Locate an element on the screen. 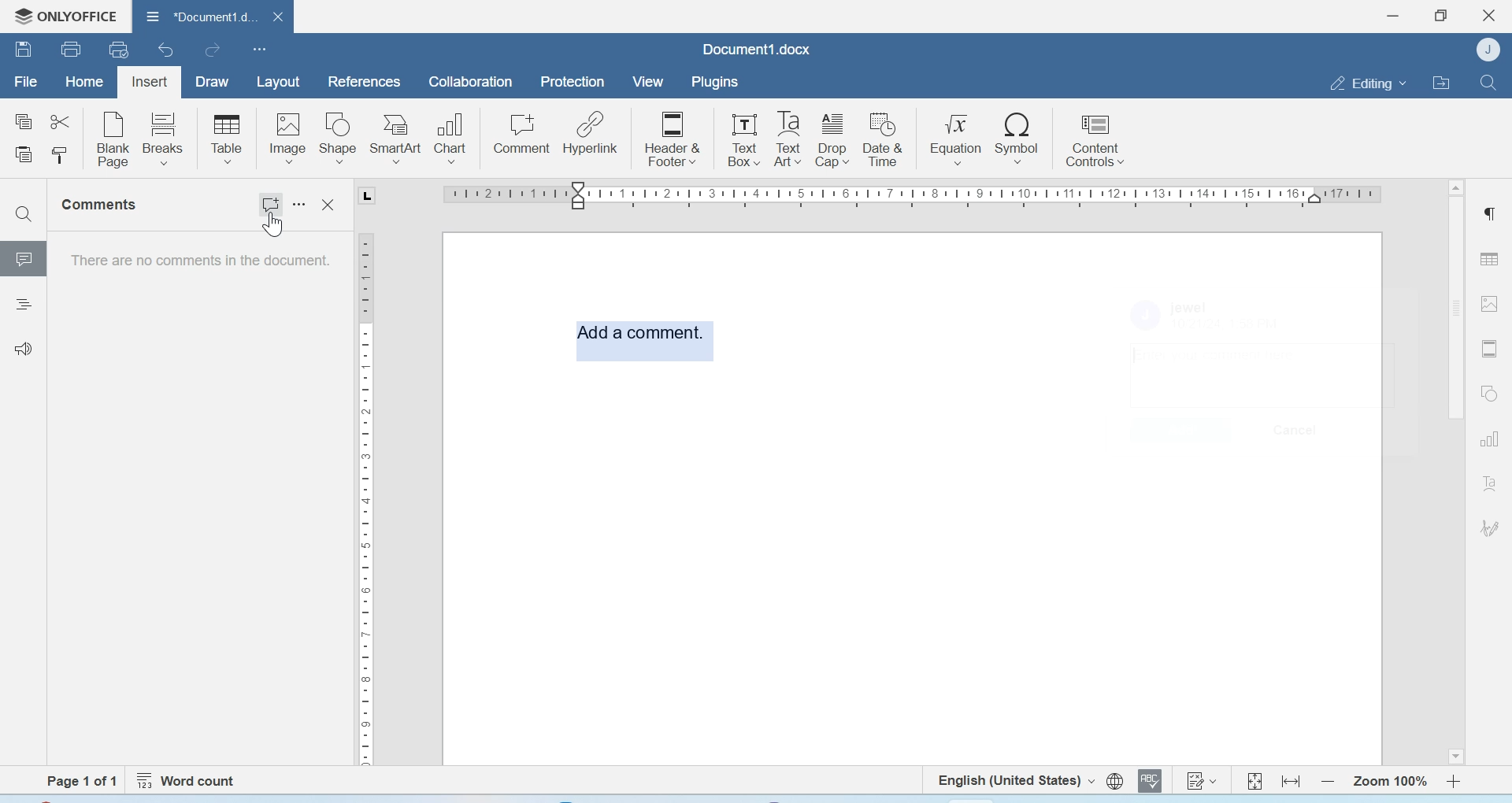  Shape is located at coordinates (339, 139).